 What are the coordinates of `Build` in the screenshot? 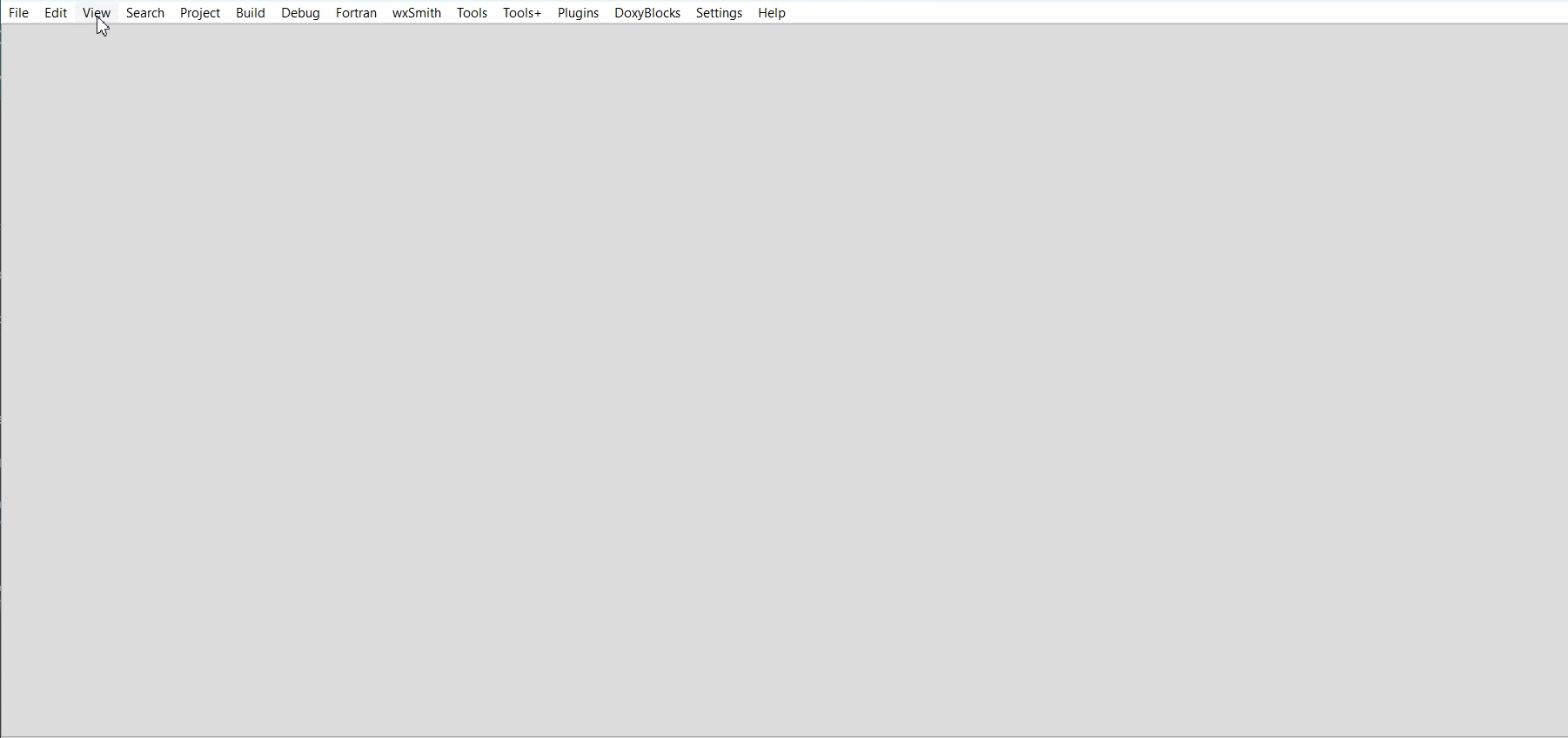 It's located at (250, 12).